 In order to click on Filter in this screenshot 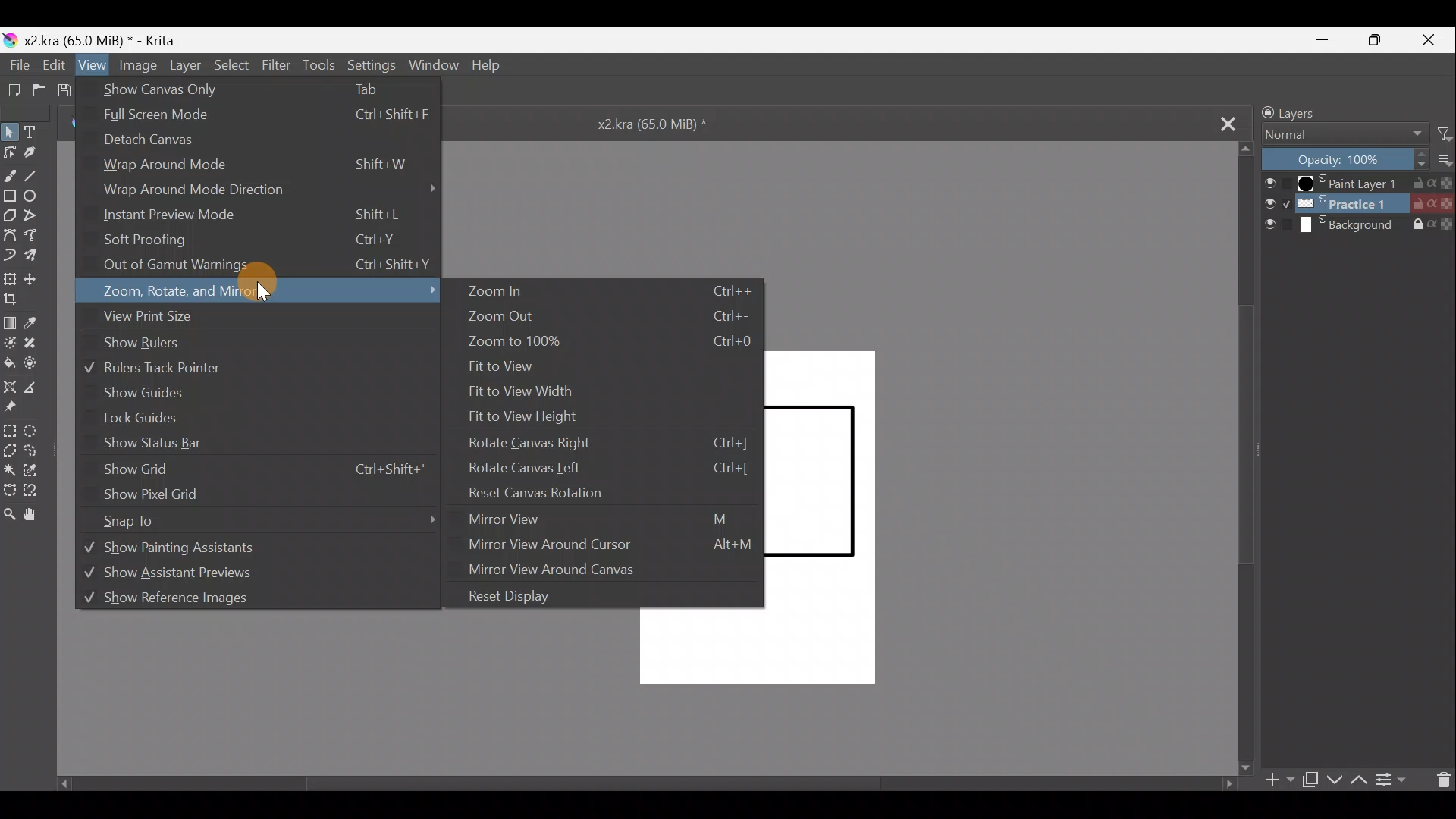, I will do `click(1445, 133)`.